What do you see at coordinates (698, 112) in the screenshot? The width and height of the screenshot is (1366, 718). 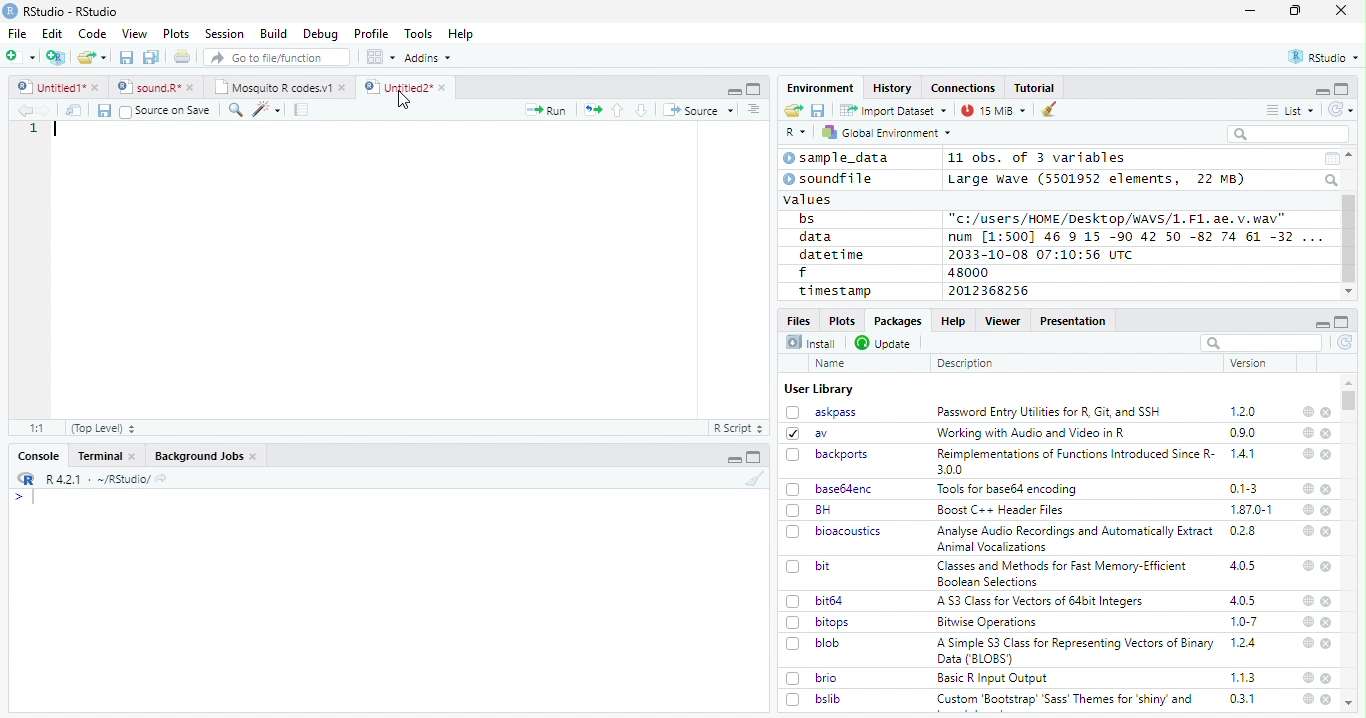 I see `Source` at bounding box center [698, 112].